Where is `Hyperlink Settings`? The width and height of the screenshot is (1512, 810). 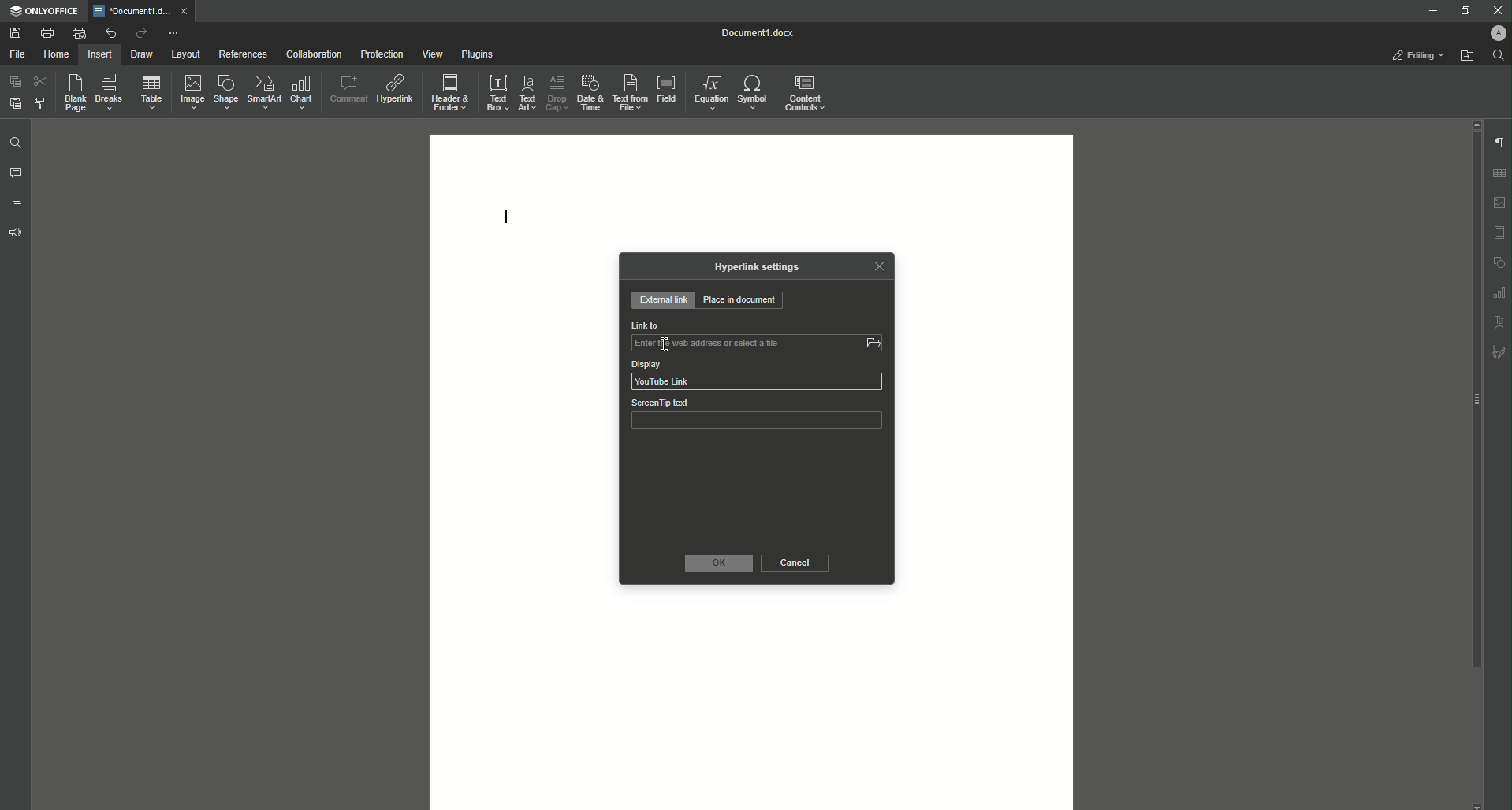
Hyperlink Settings is located at coordinates (753, 271).